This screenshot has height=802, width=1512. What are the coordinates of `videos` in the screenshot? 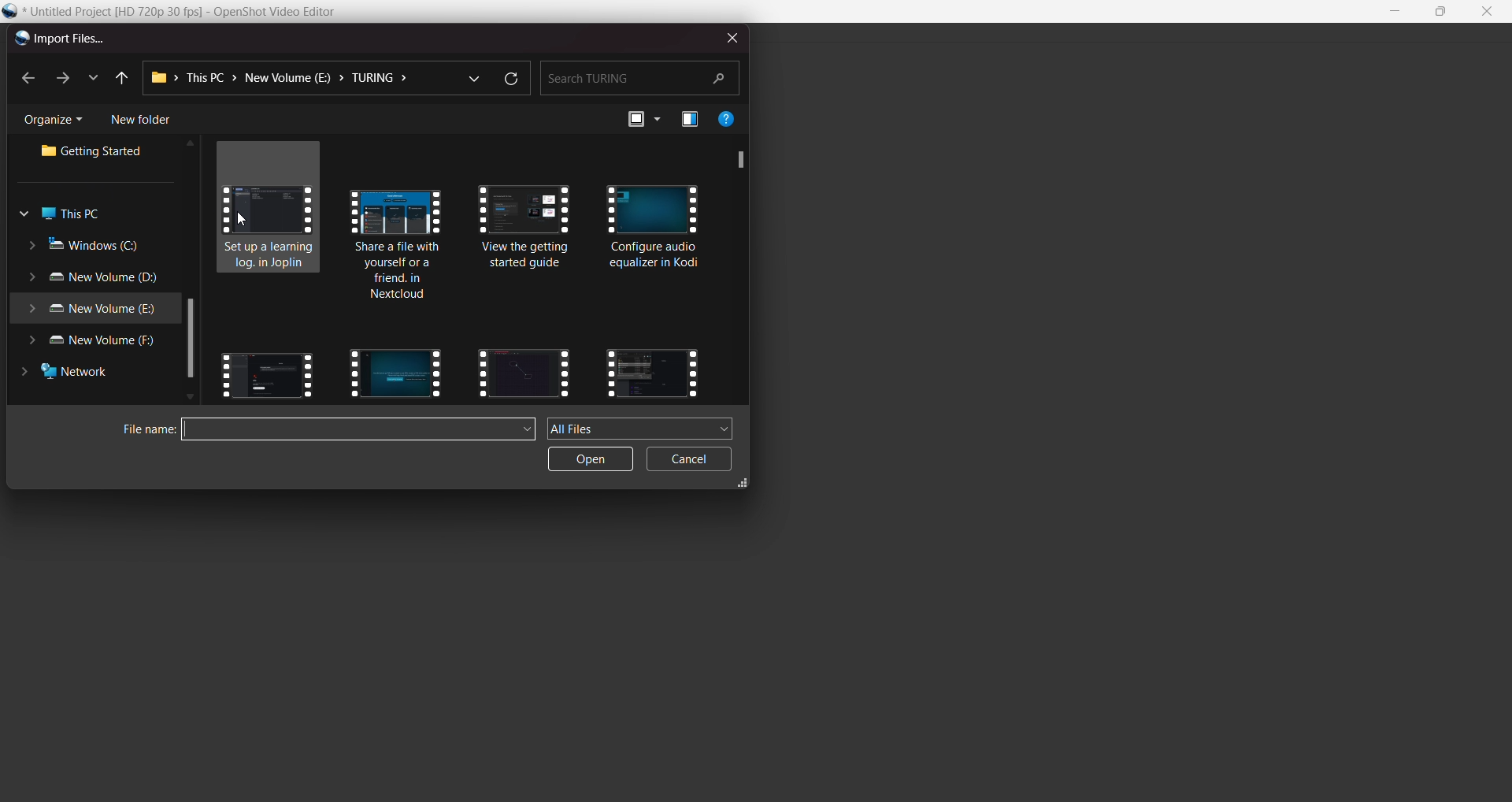 It's located at (271, 209).